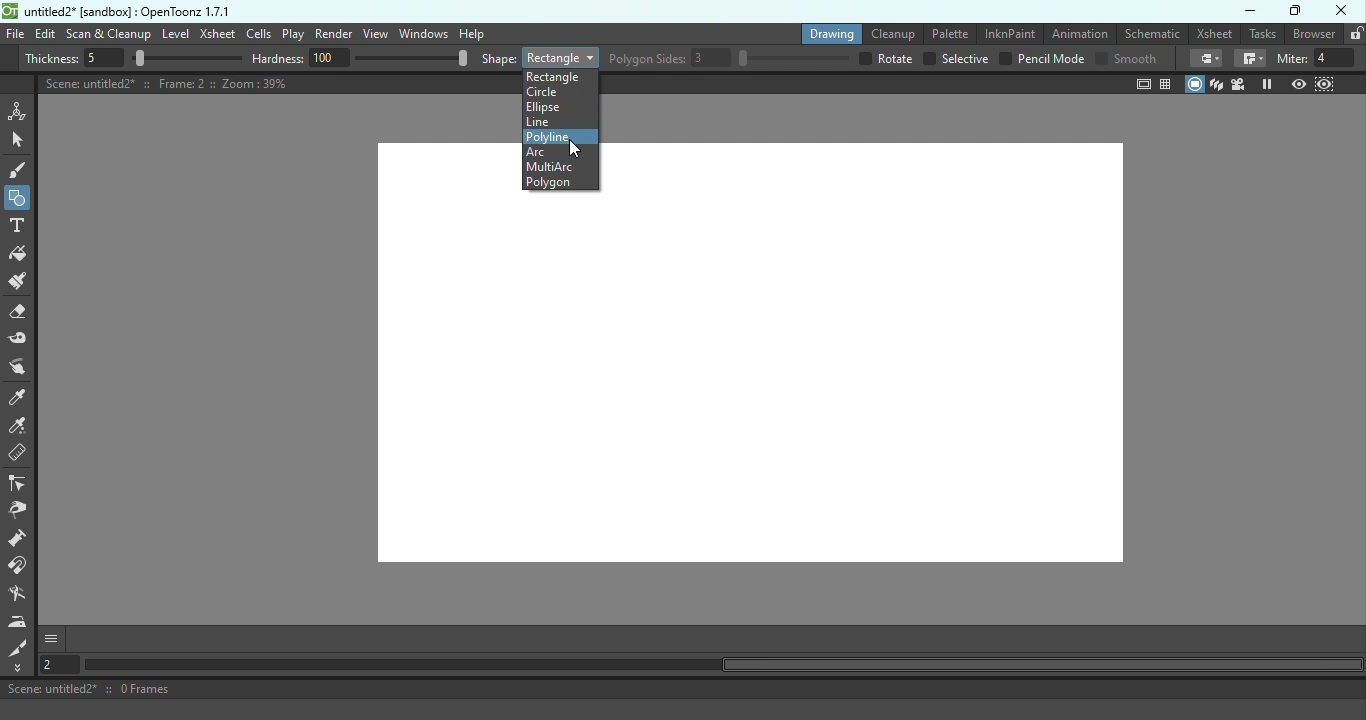 Image resolution: width=1366 pixels, height=720 pixels. I want to click on Fill tool, so click(22, 254).